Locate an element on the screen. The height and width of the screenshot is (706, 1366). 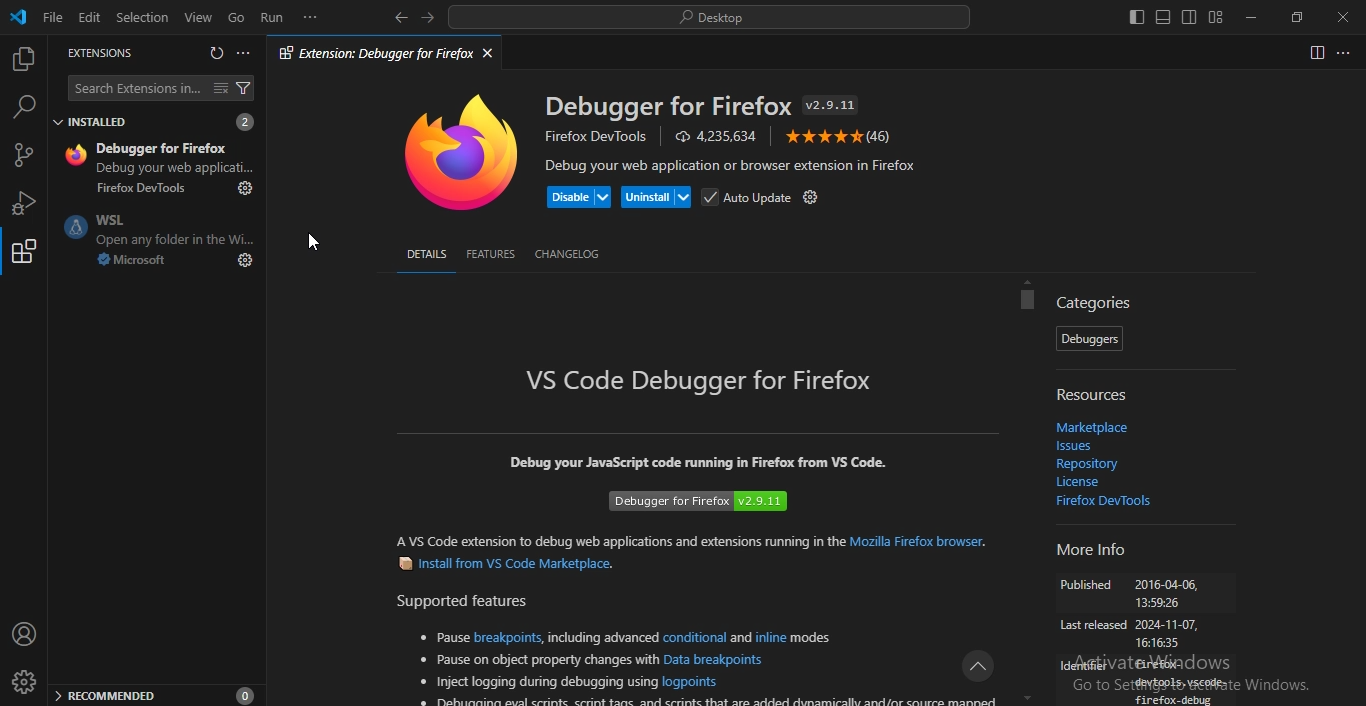
icon is located at coordinates (980, 669).